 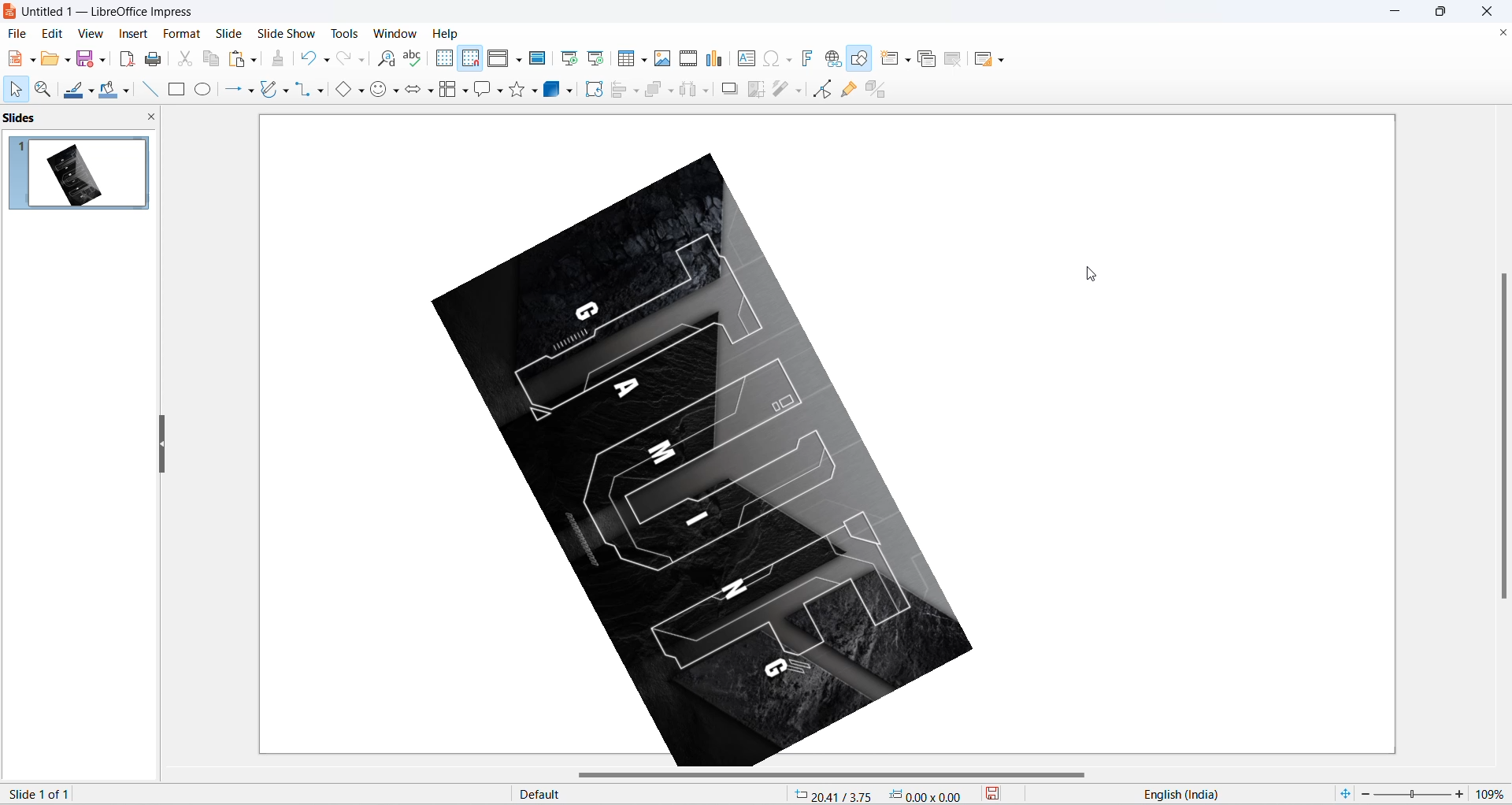 I want to click on start at first slide, so click(x=571, y=58).